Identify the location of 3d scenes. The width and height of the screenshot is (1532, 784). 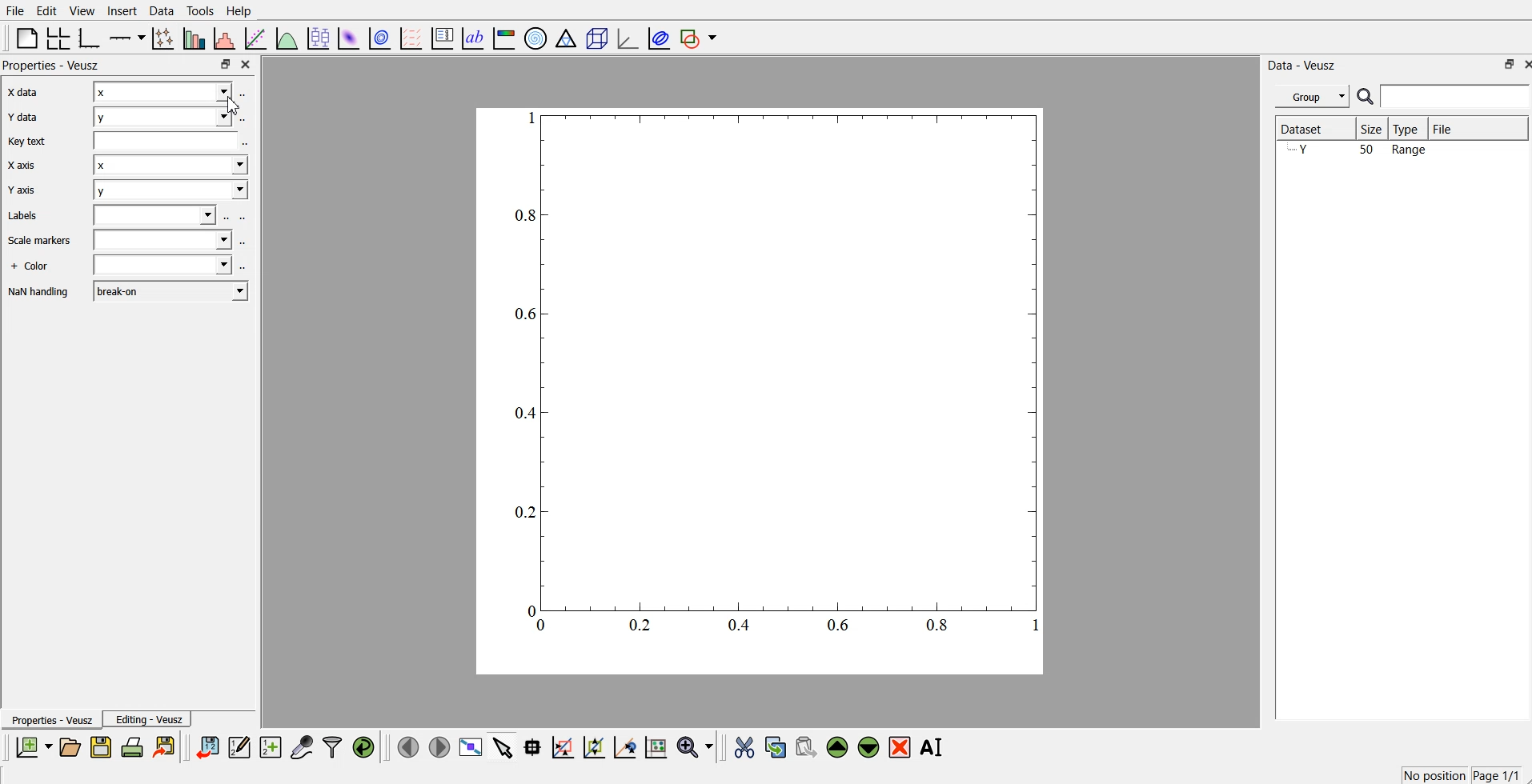
(595, 35).